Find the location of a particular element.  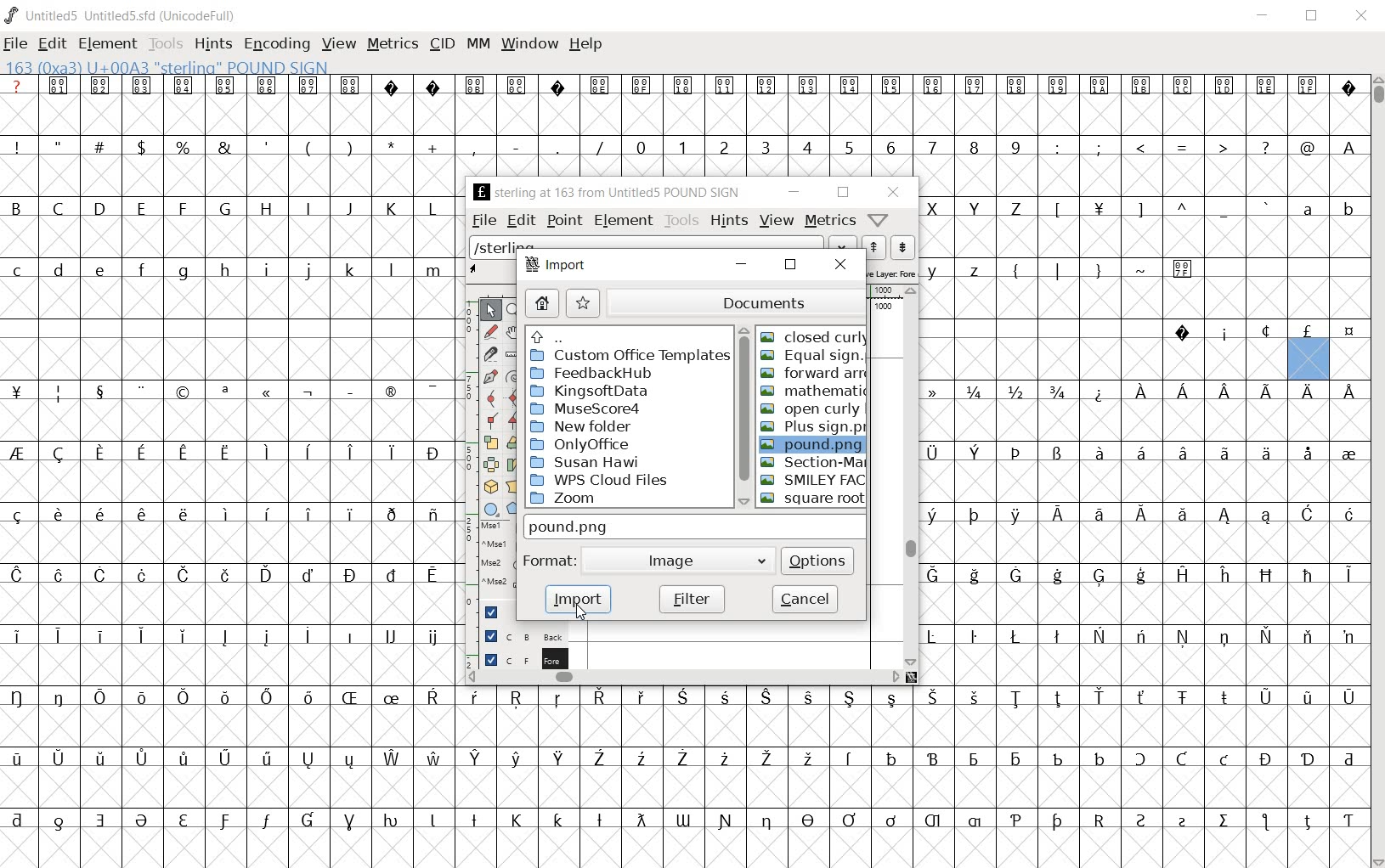

Symbol is located at coordinates (1015, 758).